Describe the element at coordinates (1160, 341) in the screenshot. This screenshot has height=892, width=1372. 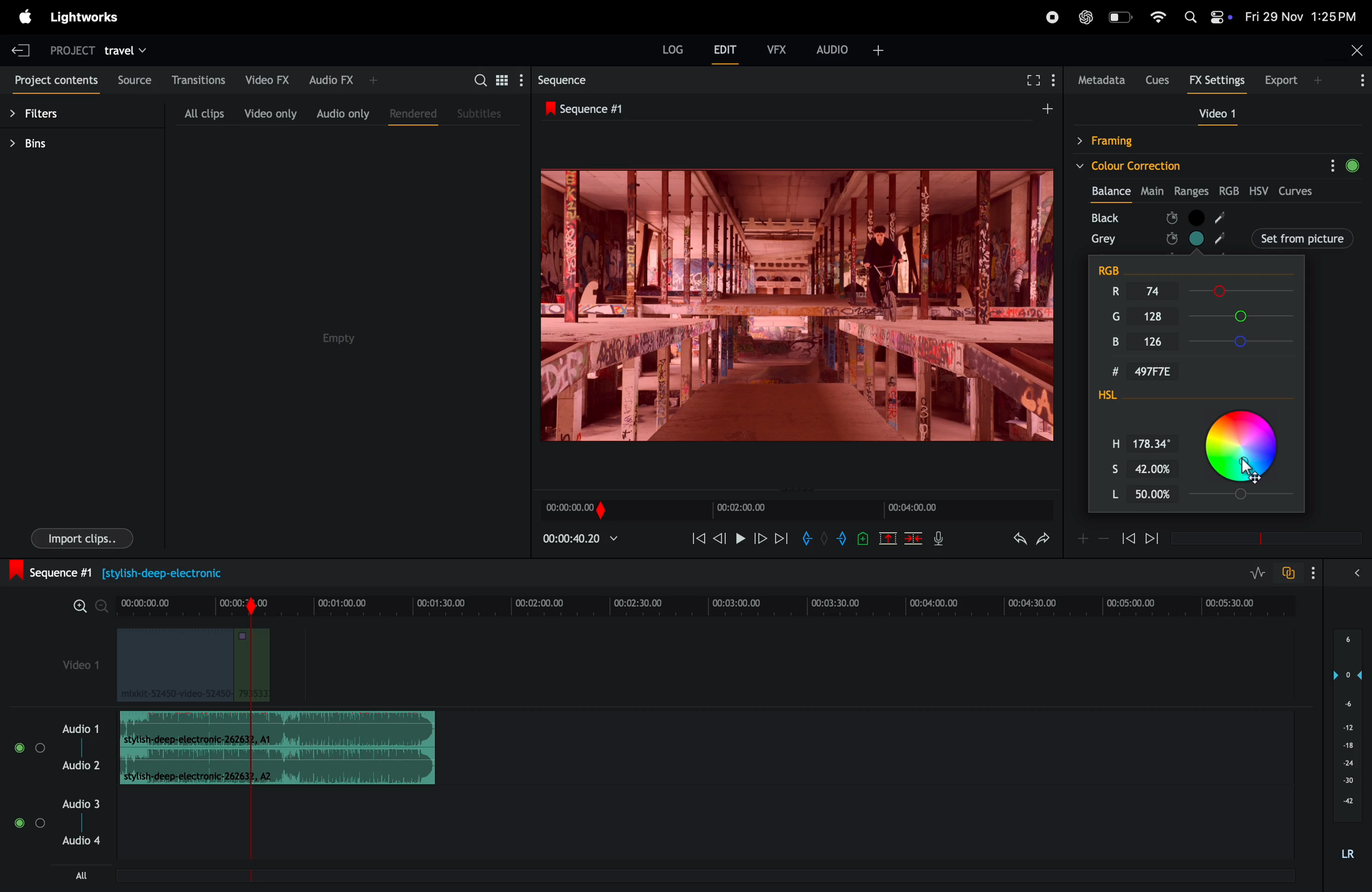
I see `B Input` at that location.